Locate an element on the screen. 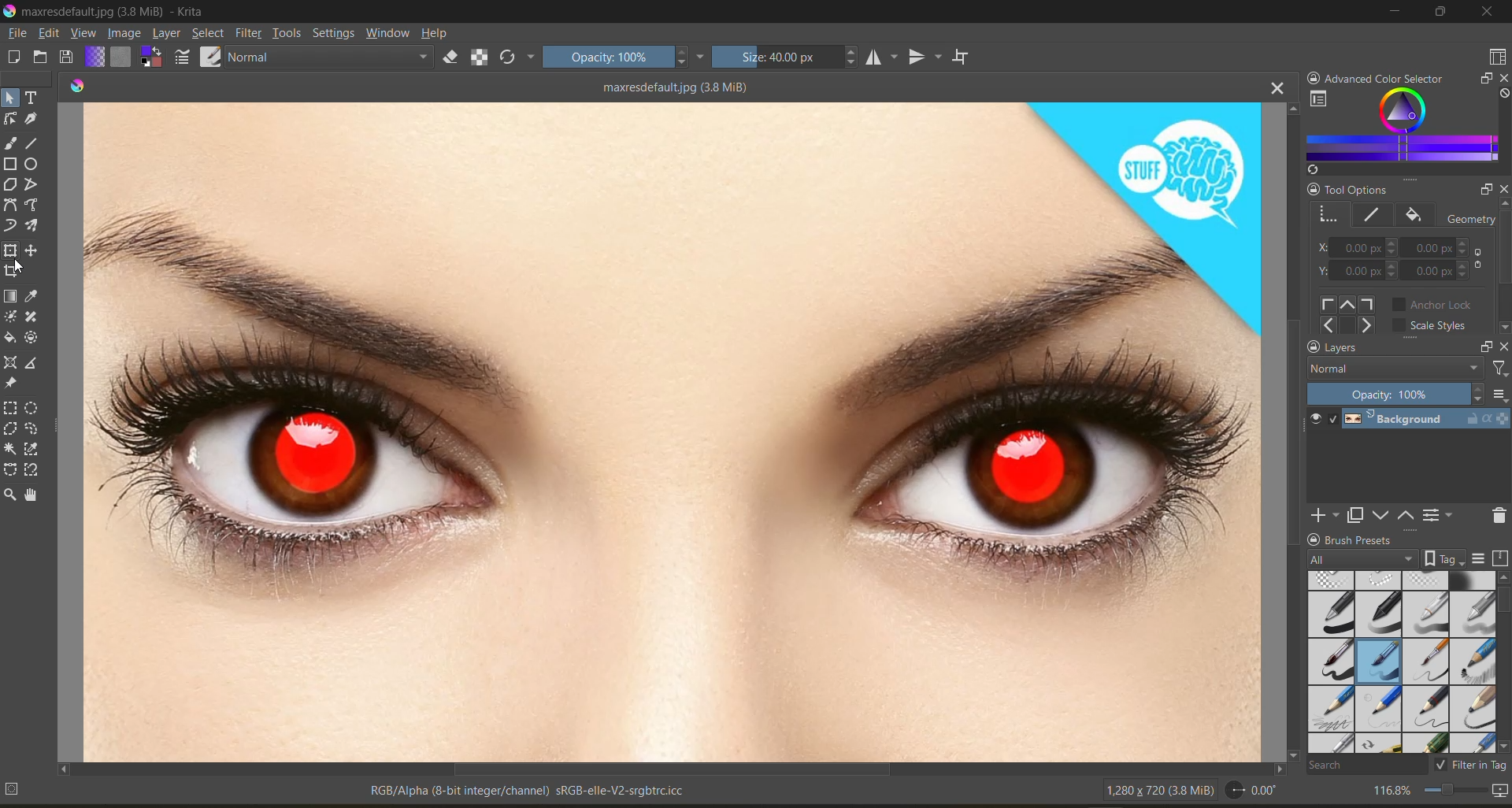  view or change the layer properties is located at coordinates (1440, 514).